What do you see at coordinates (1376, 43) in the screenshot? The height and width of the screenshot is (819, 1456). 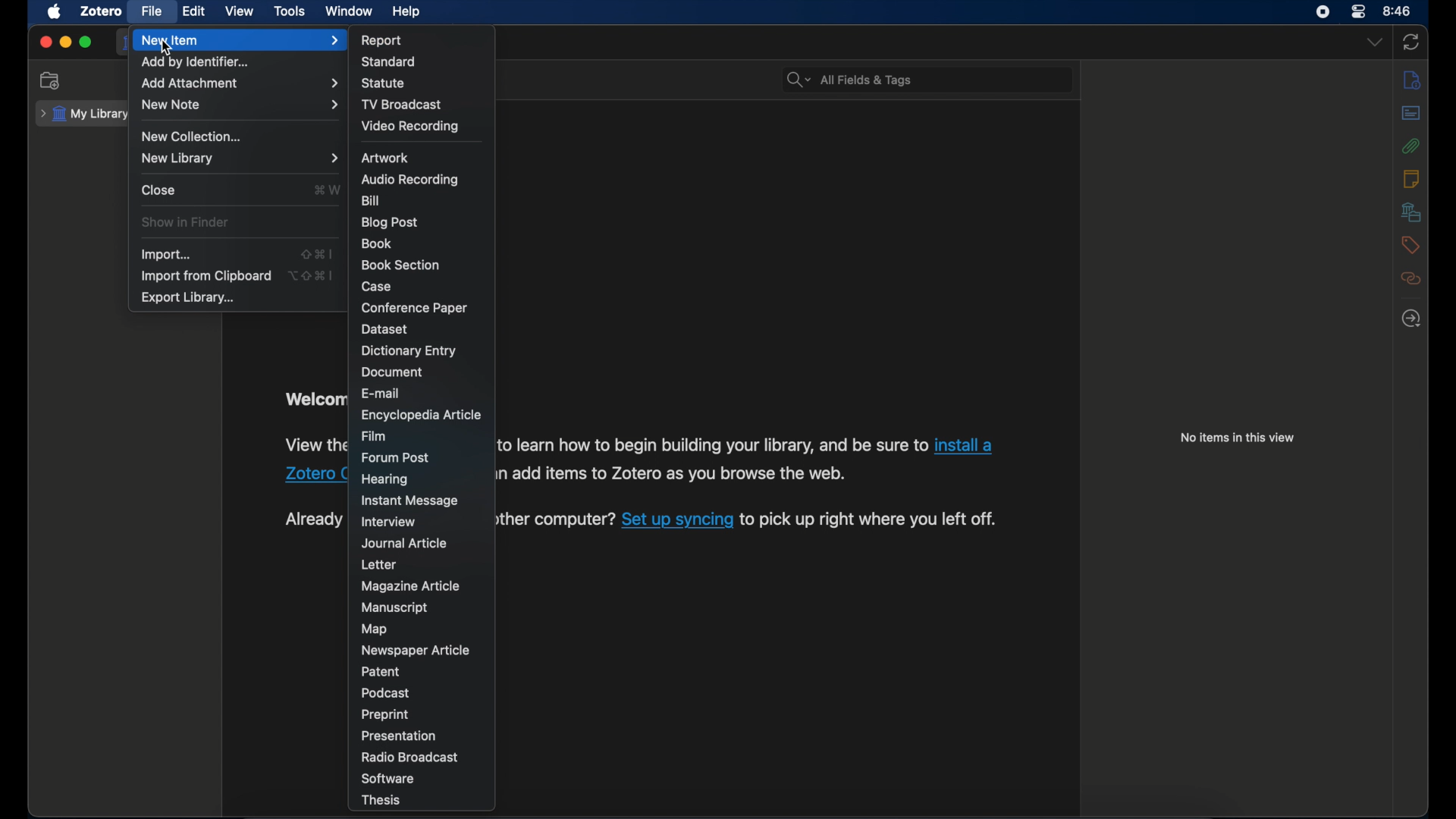 I see `dropdown` at bounding box center [1376, 43].